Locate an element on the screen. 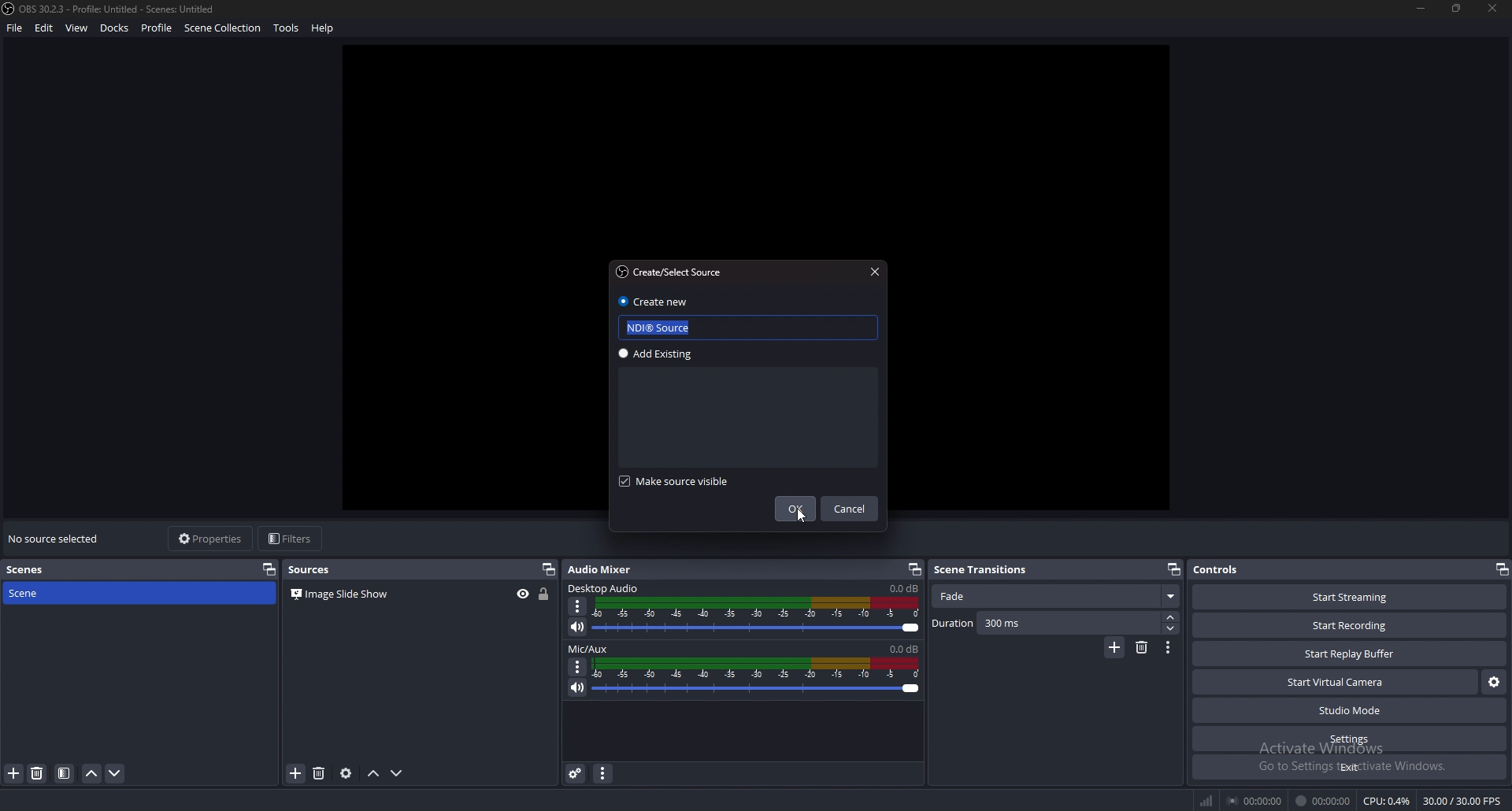  cpu is located at coordinates (1388, 801).